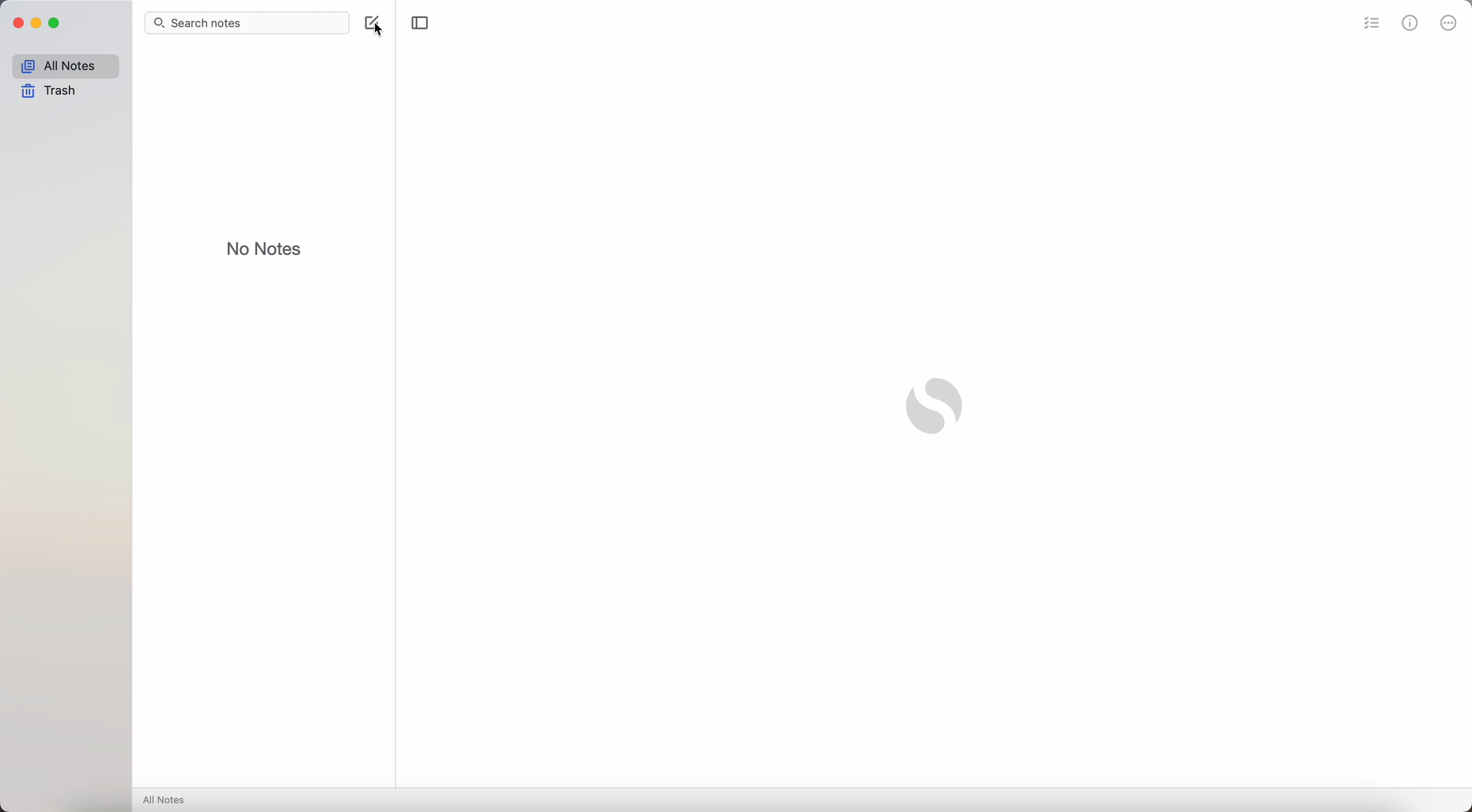 This screenshot has height=812, width=1472. What do you see at coordinates (36, 23) in the screenshot?
I see `minimize Simplenote` at bounding box center [36, 23].